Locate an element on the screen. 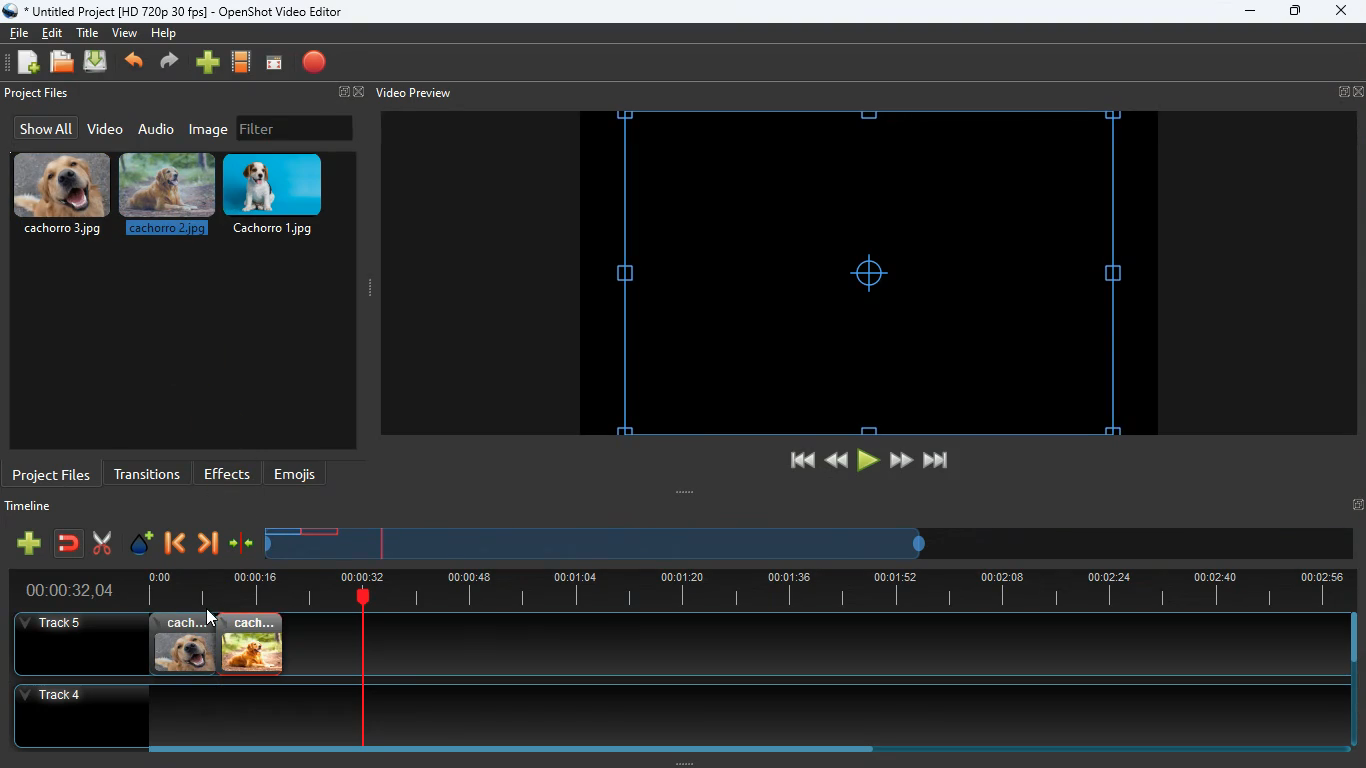 This screenshot has width=1366, height=768. effect is located at coordinates (142, 545).